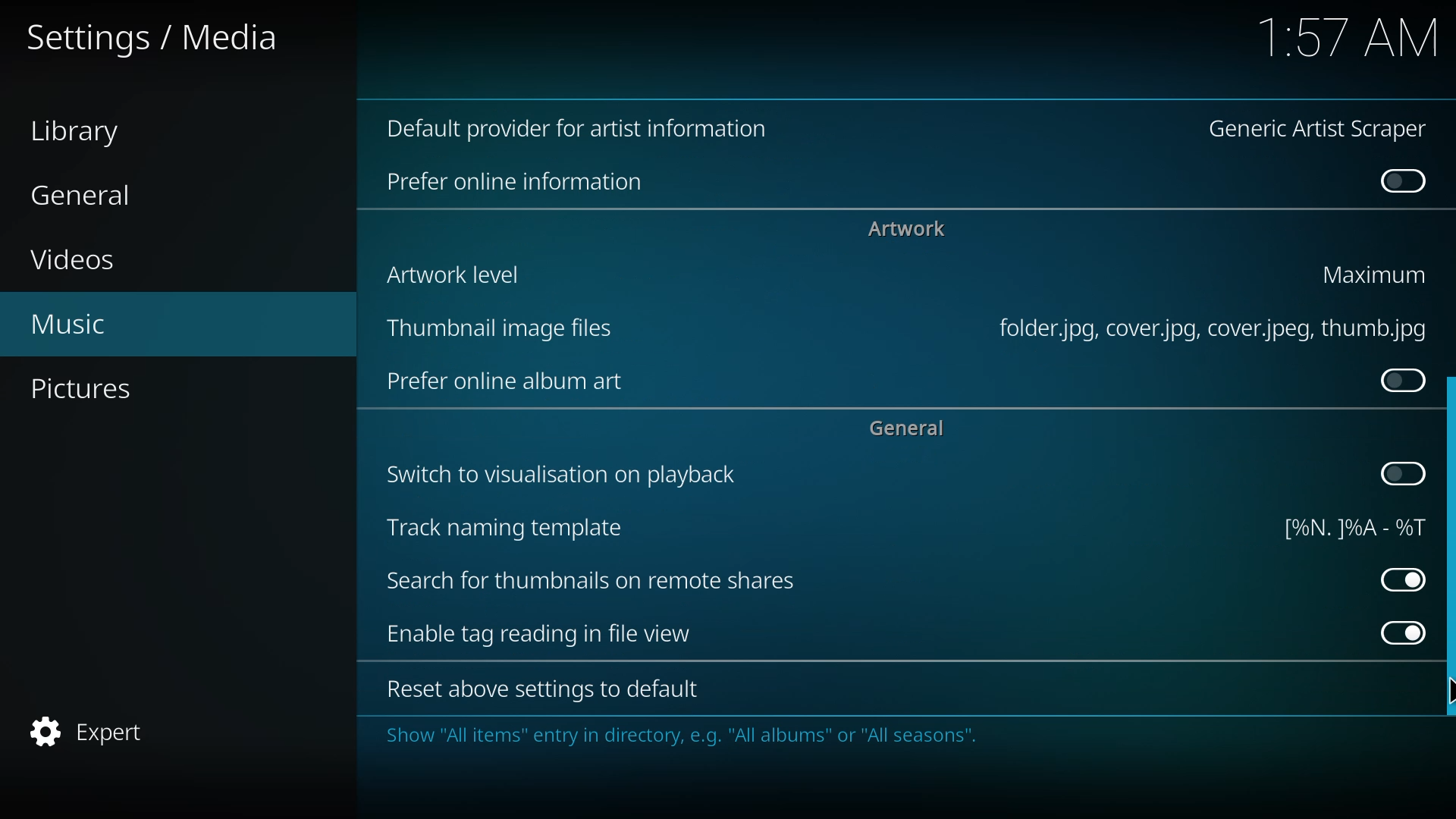  What do you see at coordinates (507, 529) in the screenshot?
I see `track naming template` at bounding box center [507, 529].